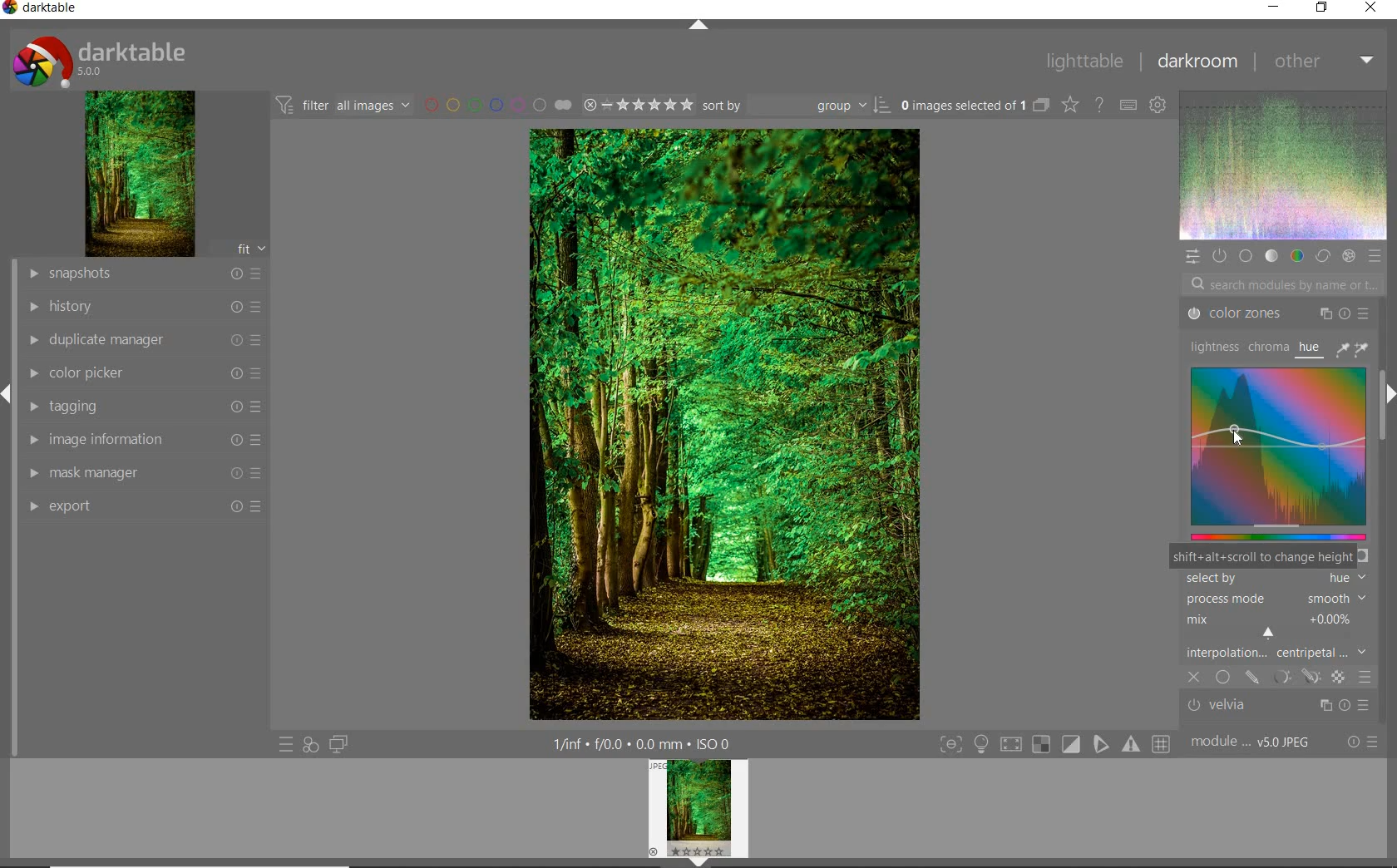 The image size is (1397, 868). What do you see at coordinates (1266, 348) in the screenshot?
I see `chroma` at bounding box center [1266, 348].